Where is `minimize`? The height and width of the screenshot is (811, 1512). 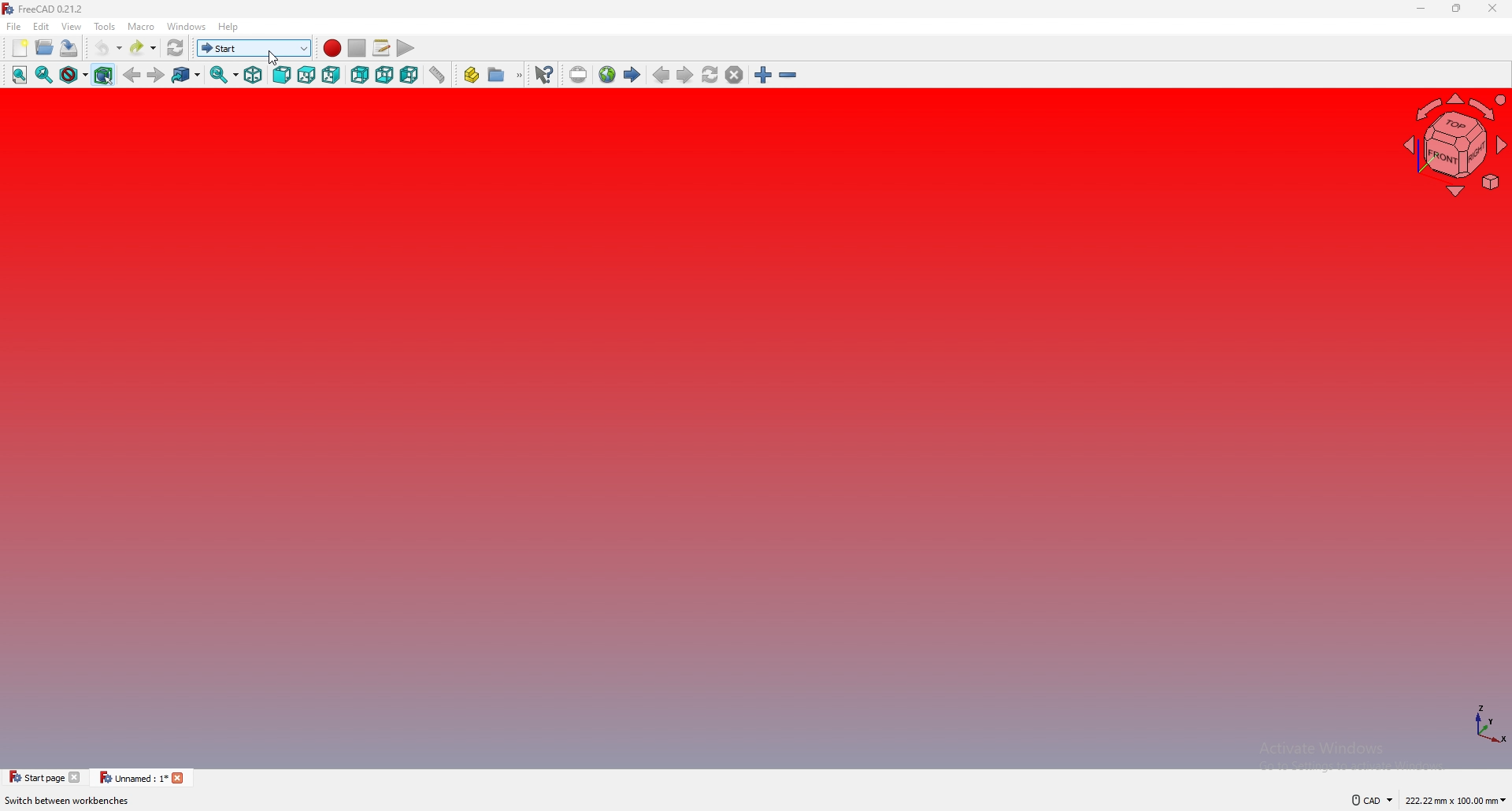 minimize is located at coordinates (1422, 9).